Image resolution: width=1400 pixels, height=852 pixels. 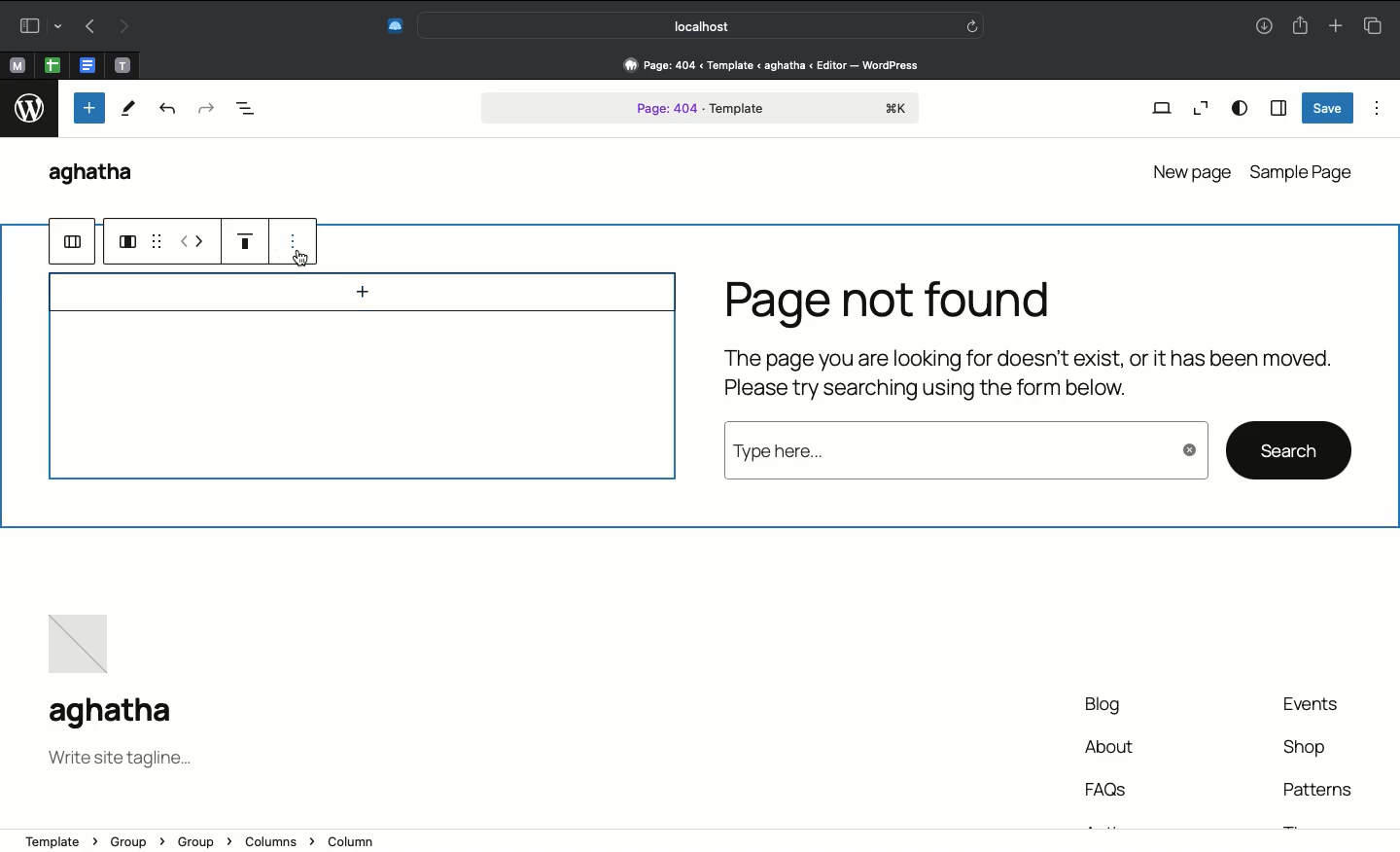 What do you see at coordinates (28, 110) in the screenshot?
I see `logo` at bounding box center [28, 110].